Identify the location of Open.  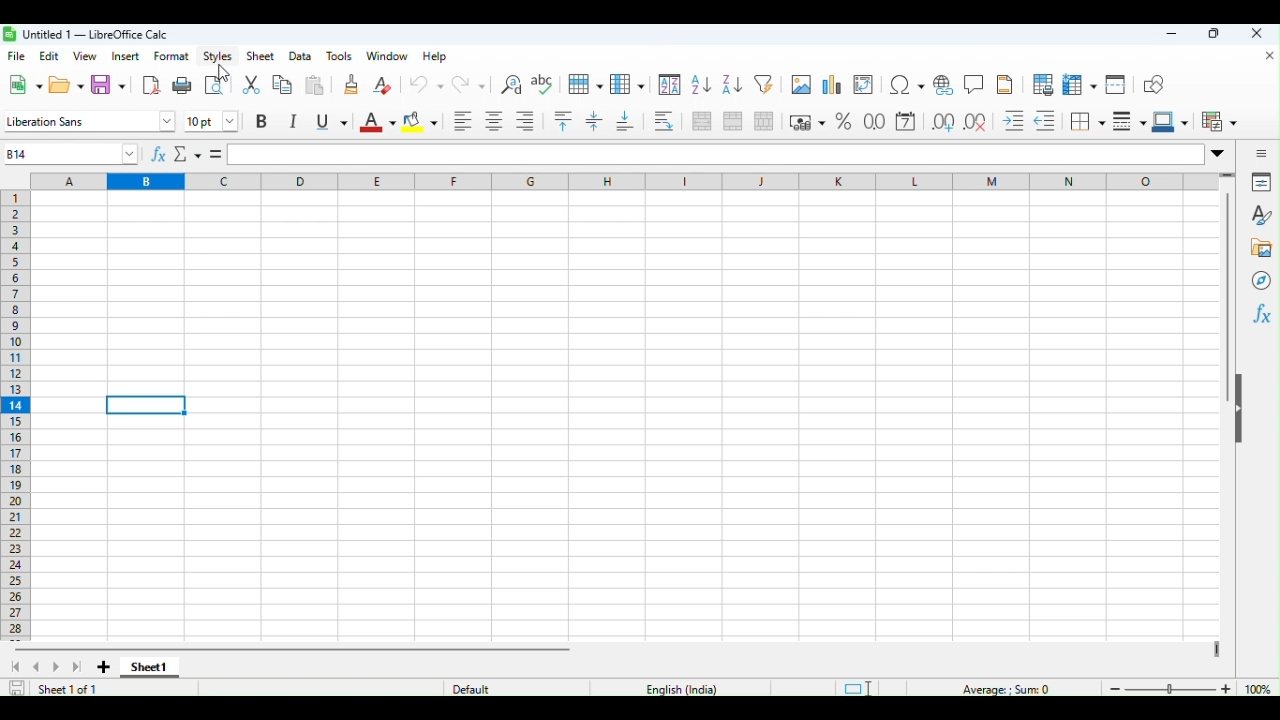
(61, 86).